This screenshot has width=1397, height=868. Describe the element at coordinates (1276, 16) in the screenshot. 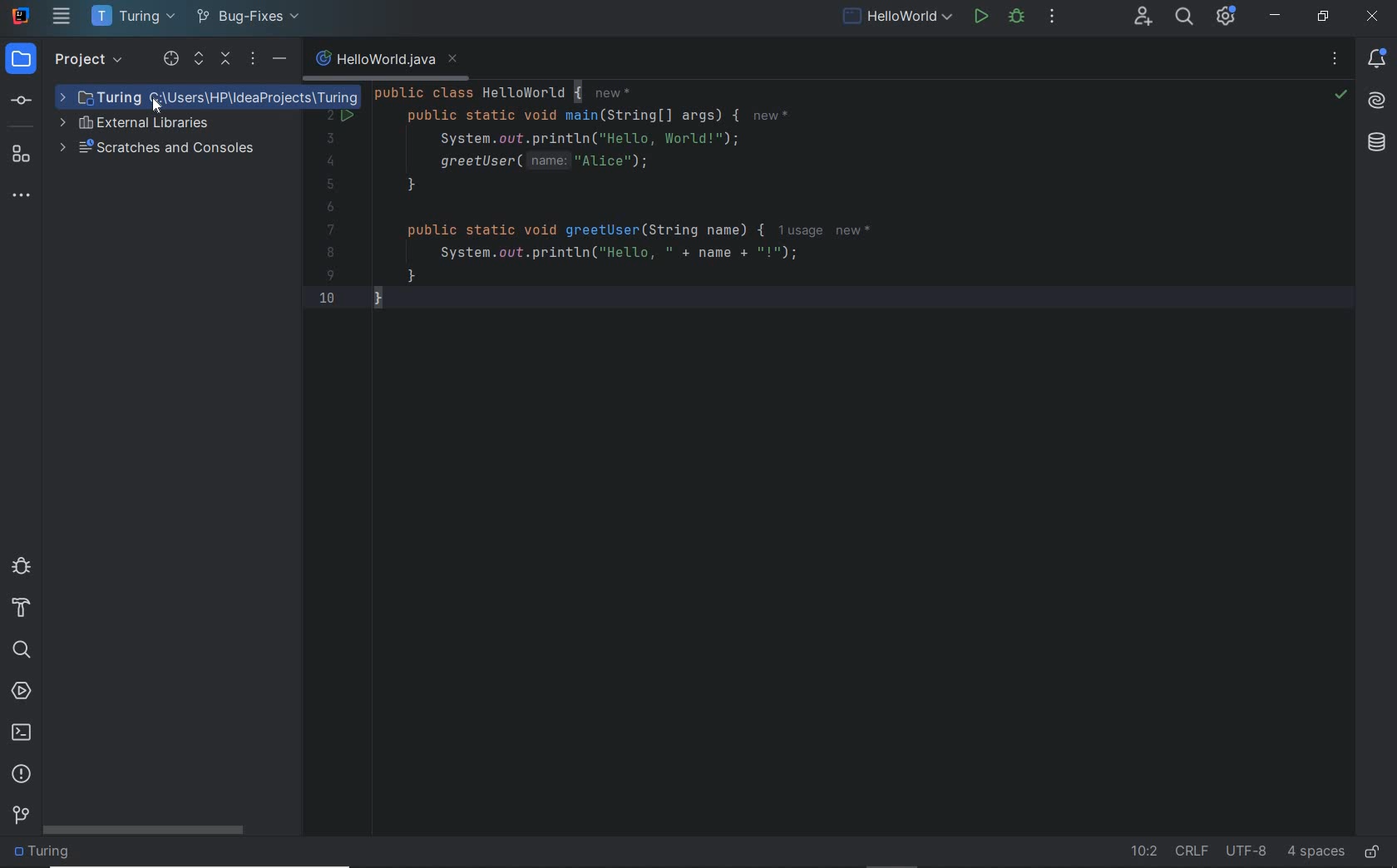

I see `minimize` at that location.